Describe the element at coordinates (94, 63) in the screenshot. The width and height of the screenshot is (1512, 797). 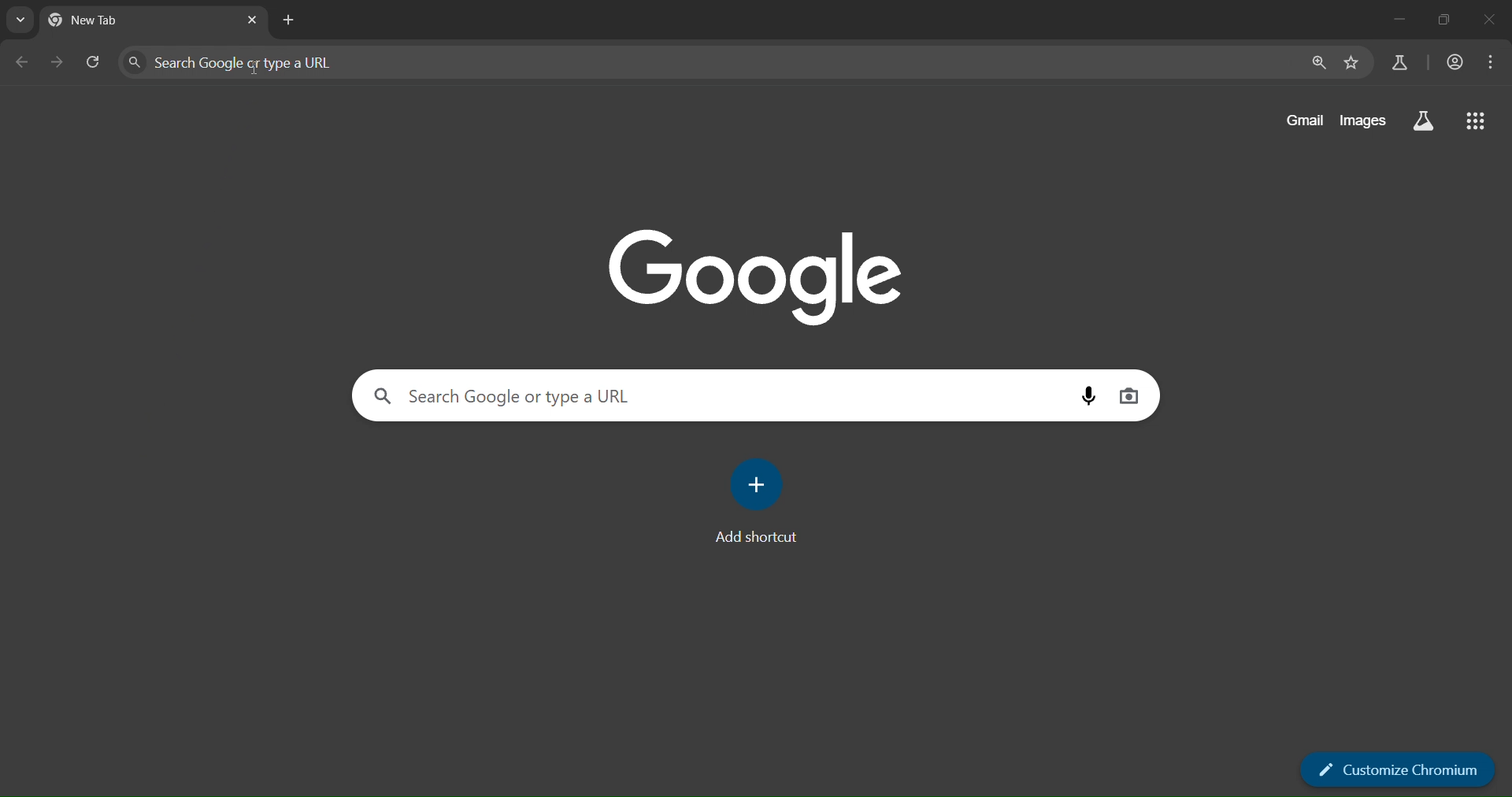
I see `reload page` at that location.